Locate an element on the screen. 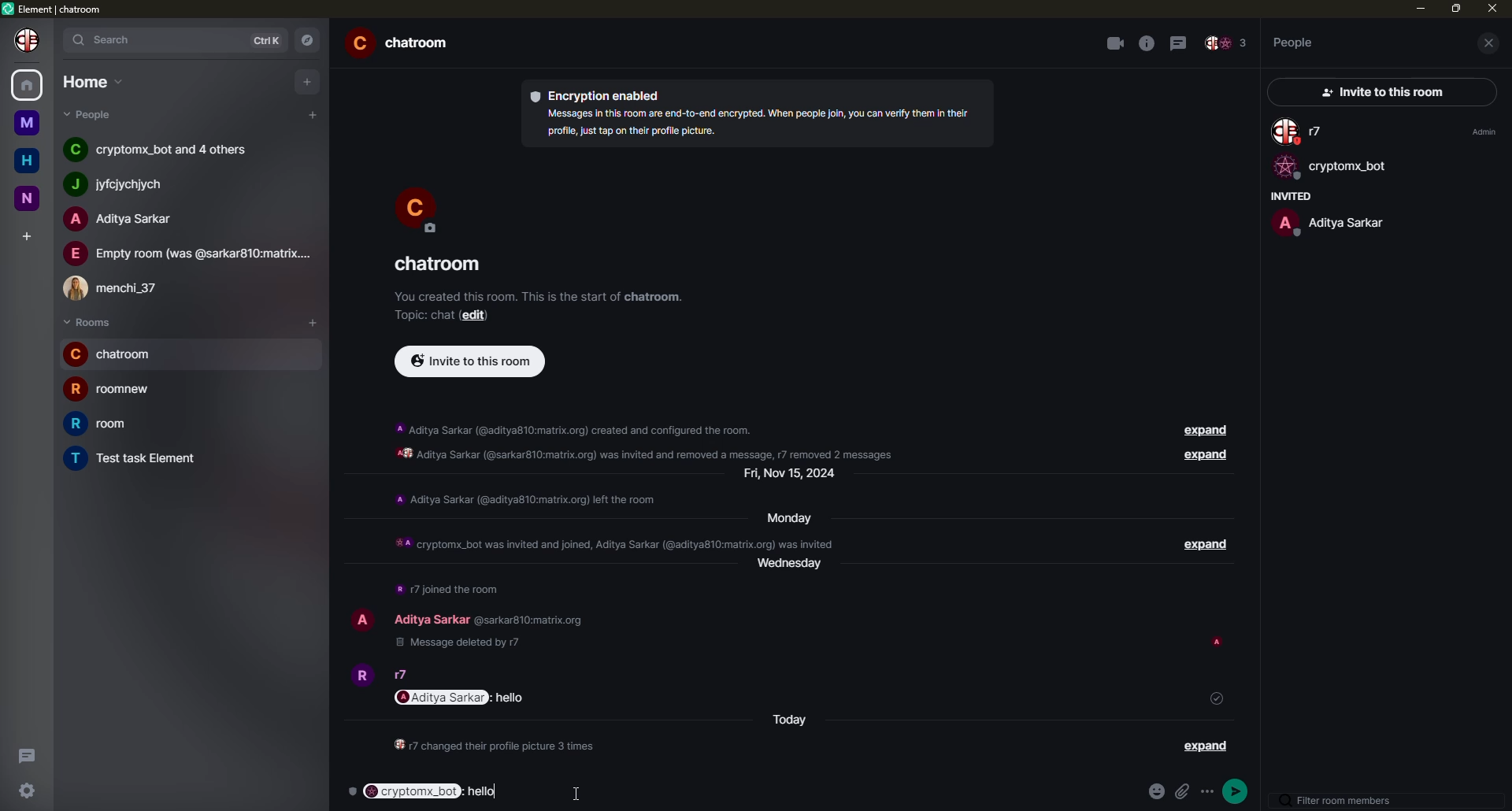 The width and height of the screenshot is (1512, 811). settings is located at coordinates (28, 789).